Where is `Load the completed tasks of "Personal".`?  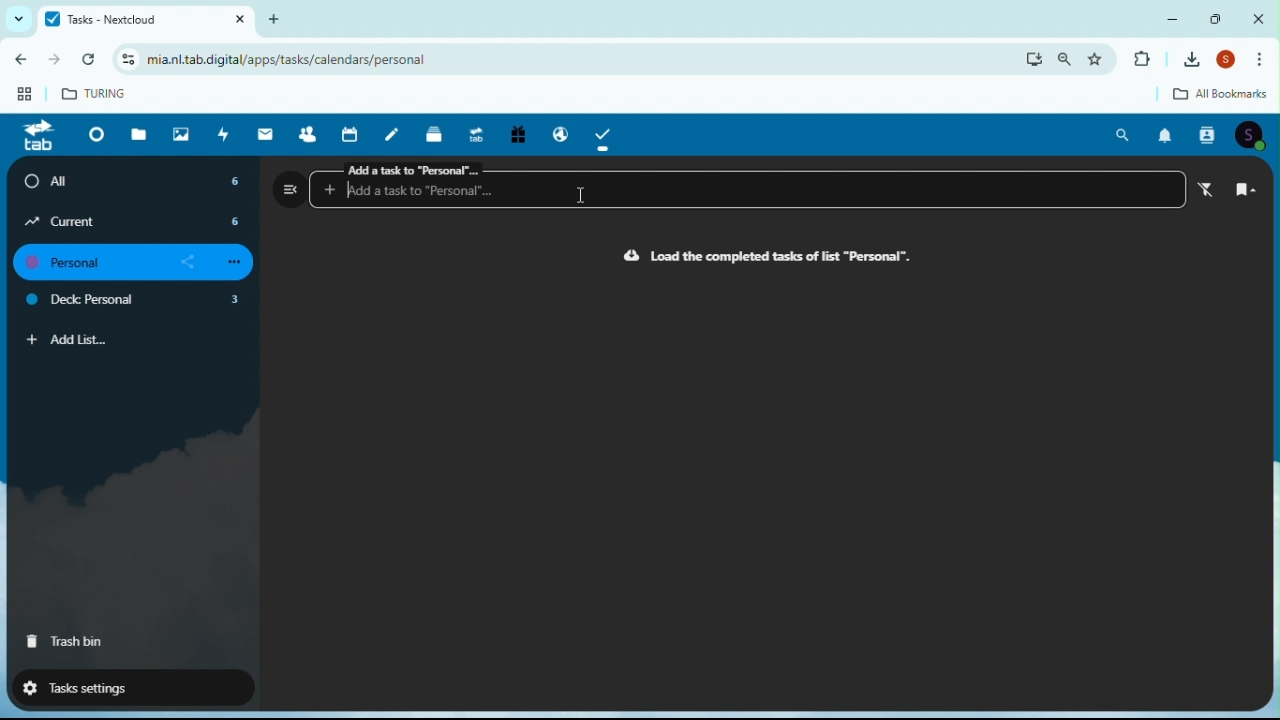 Load the completed tasks of "Personal". is located at coordinates (768, 257).